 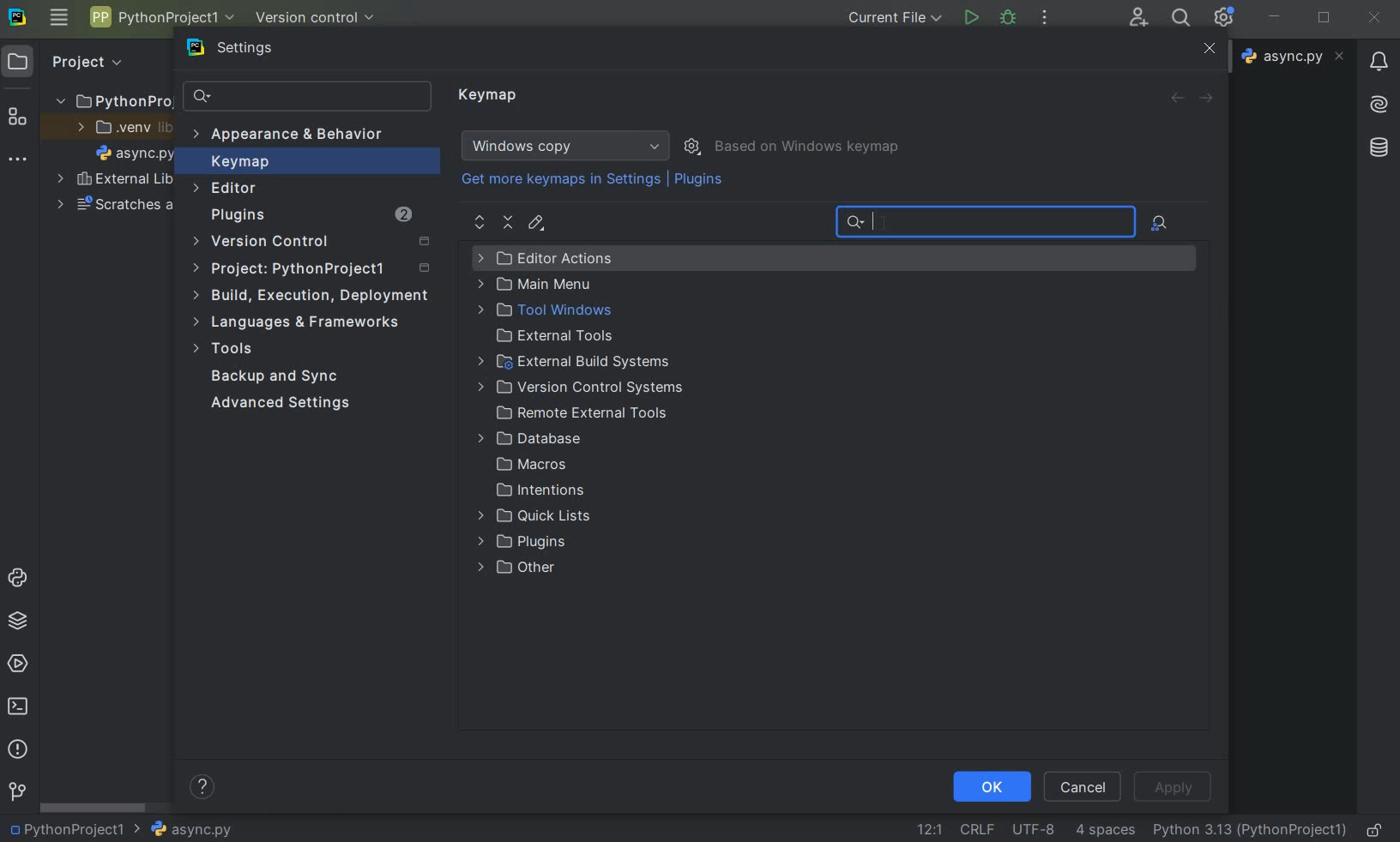 What do you see at coordinates (1178, 20) in the screenshot?
I see `search everywhere` at bounding box center [1178, 20].